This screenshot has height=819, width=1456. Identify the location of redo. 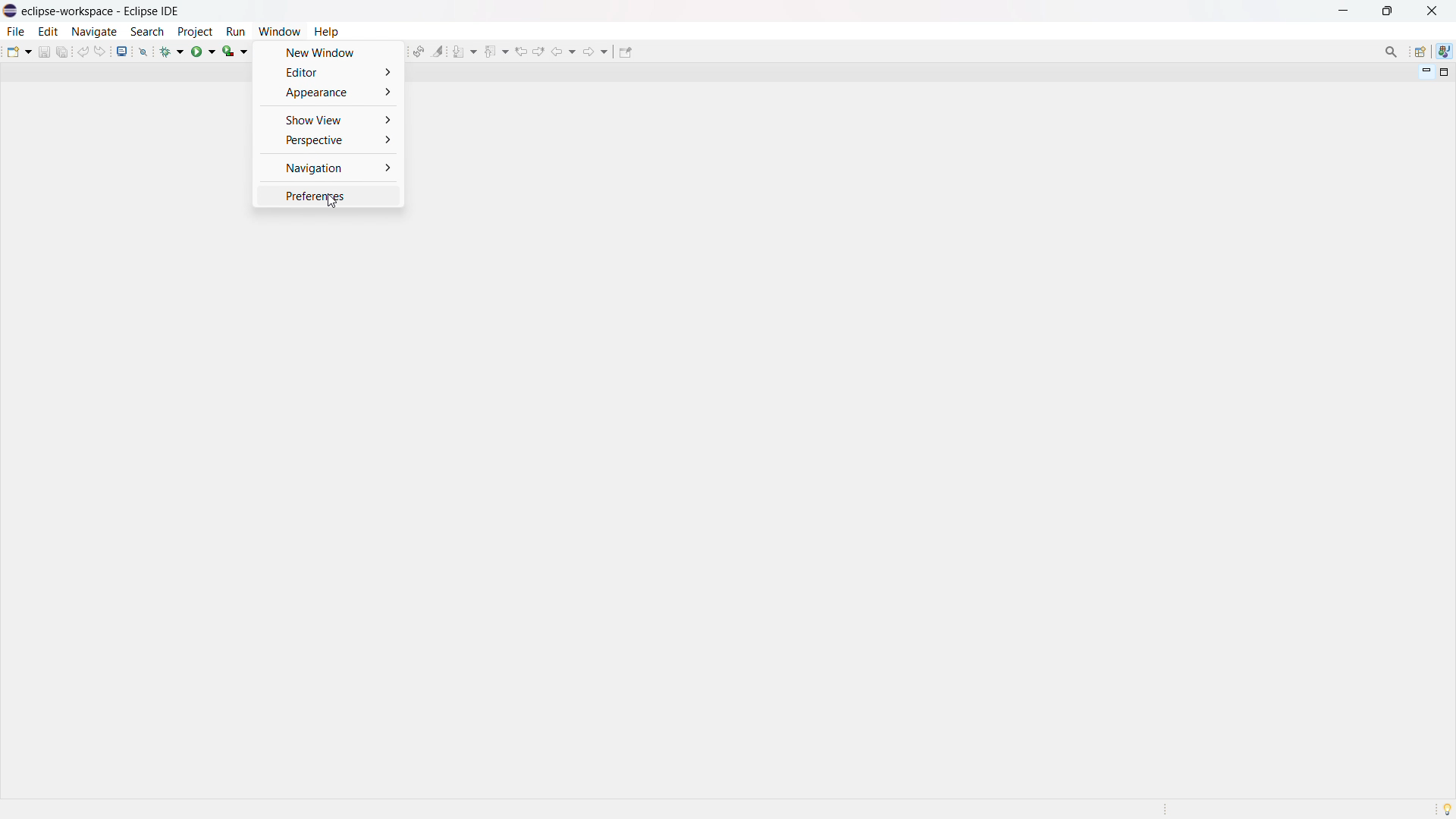
(100, 51).